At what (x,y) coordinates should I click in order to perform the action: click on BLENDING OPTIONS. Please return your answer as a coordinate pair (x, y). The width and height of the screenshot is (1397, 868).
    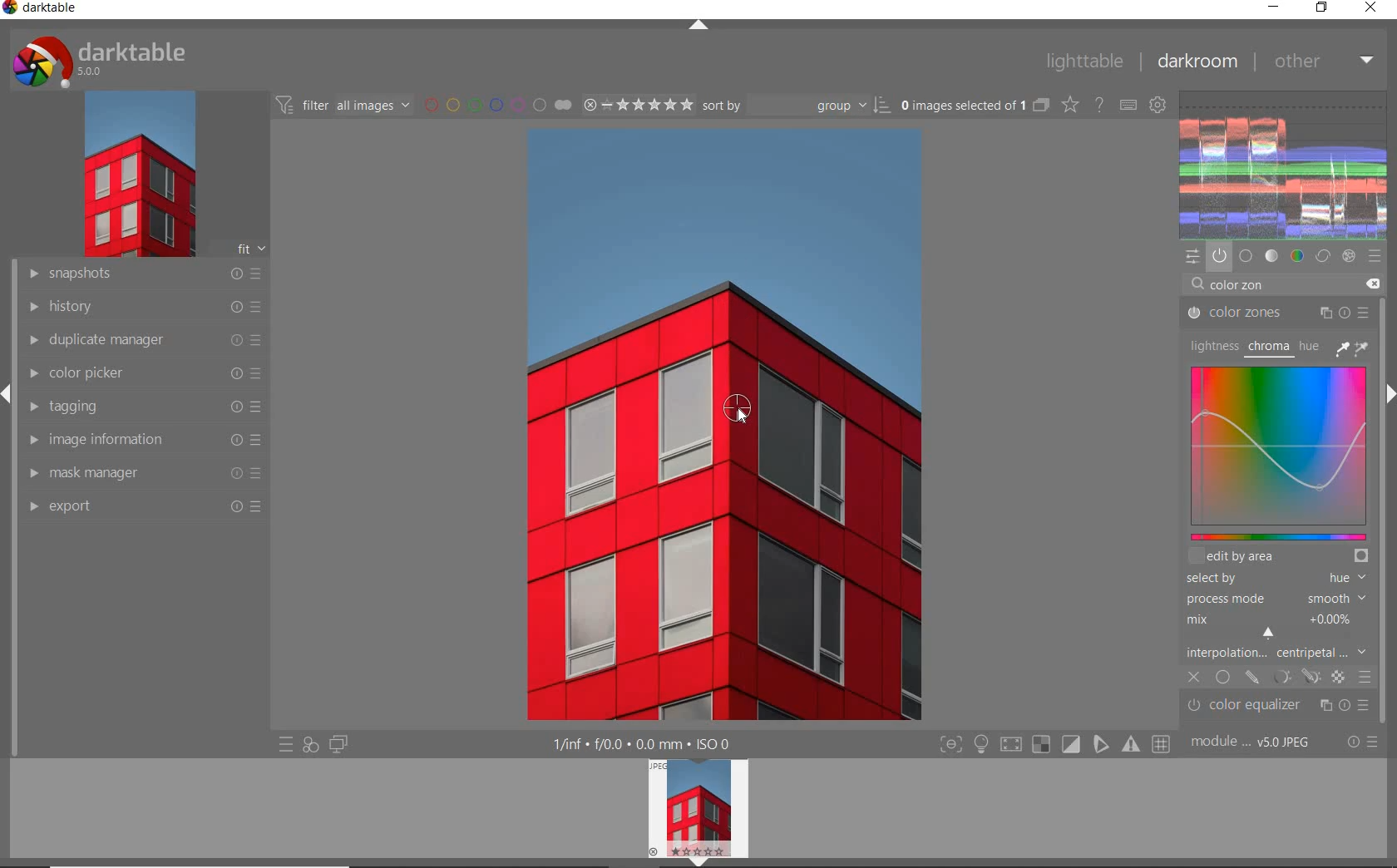
    Looking at the image, I should click on (1365, 676).